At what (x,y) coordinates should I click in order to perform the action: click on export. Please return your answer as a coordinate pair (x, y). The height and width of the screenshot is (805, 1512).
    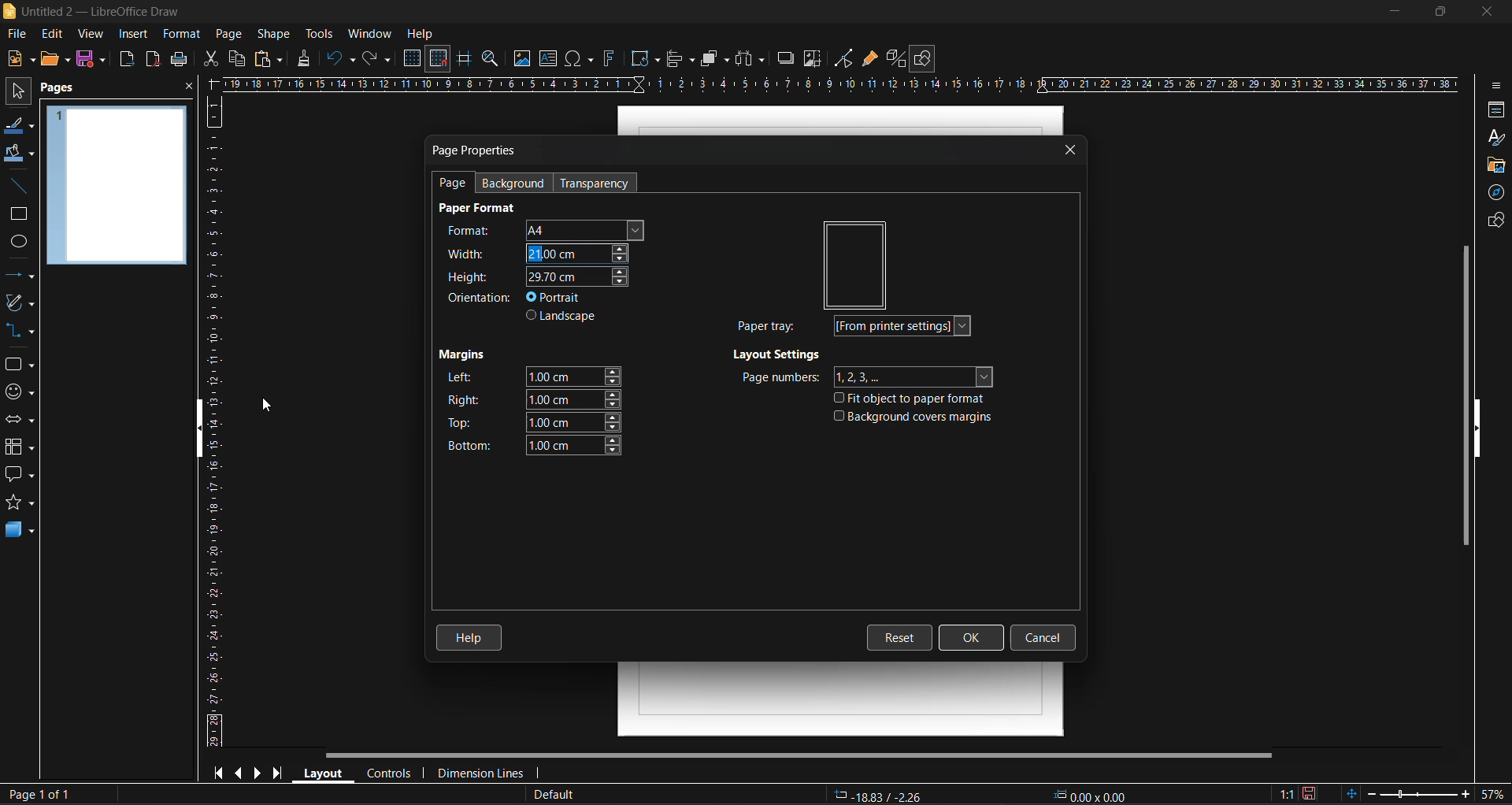
    Looking at the image, I should click on (128, 59).